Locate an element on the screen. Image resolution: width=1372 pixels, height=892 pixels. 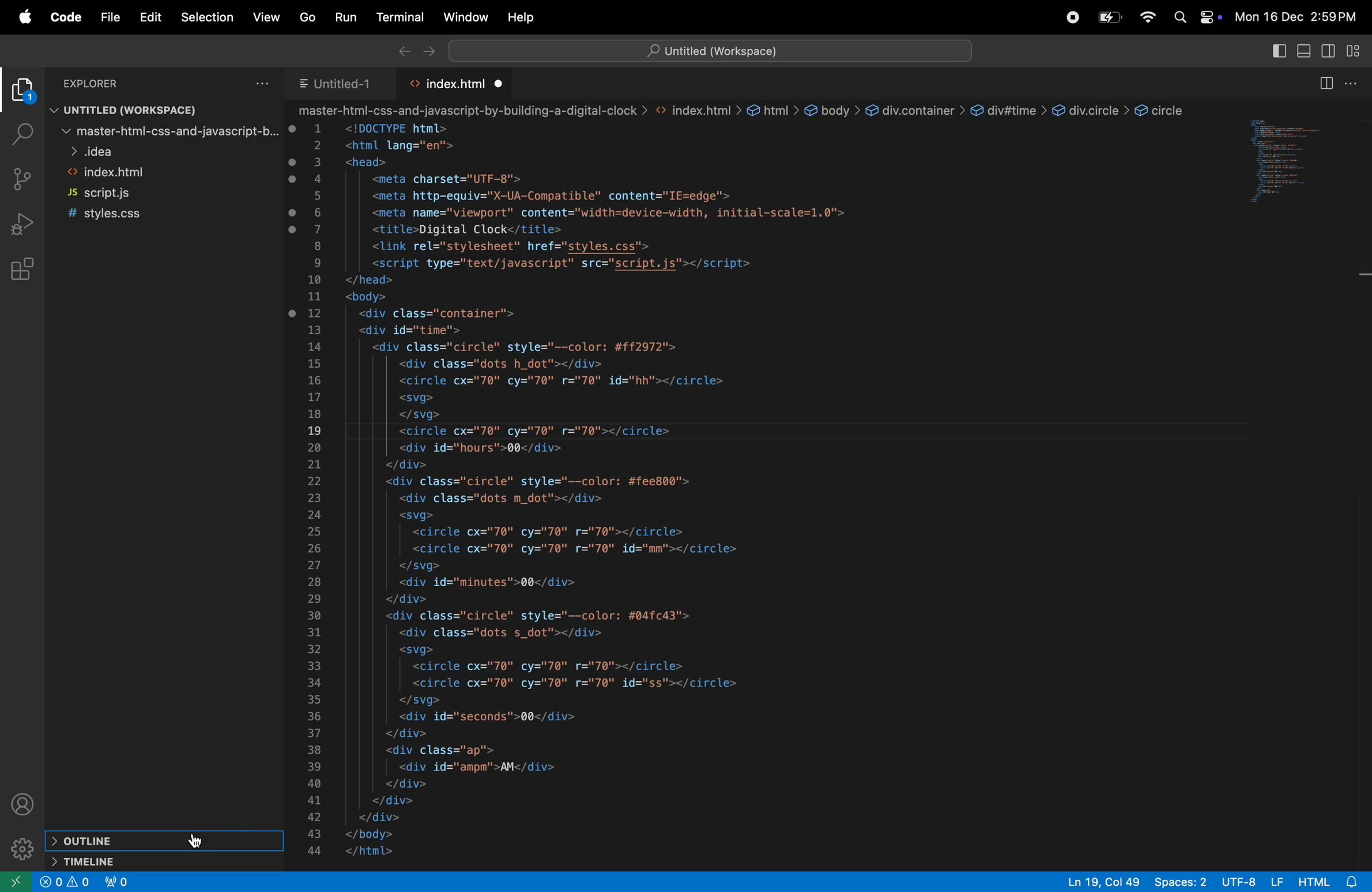
-html-css-and-javascript-by-building-a-digital-clock > <> index.html > & html > € body > & div.container > &@ div#time > &@ div.circle > @ circle is located at coordinates (747, 110).